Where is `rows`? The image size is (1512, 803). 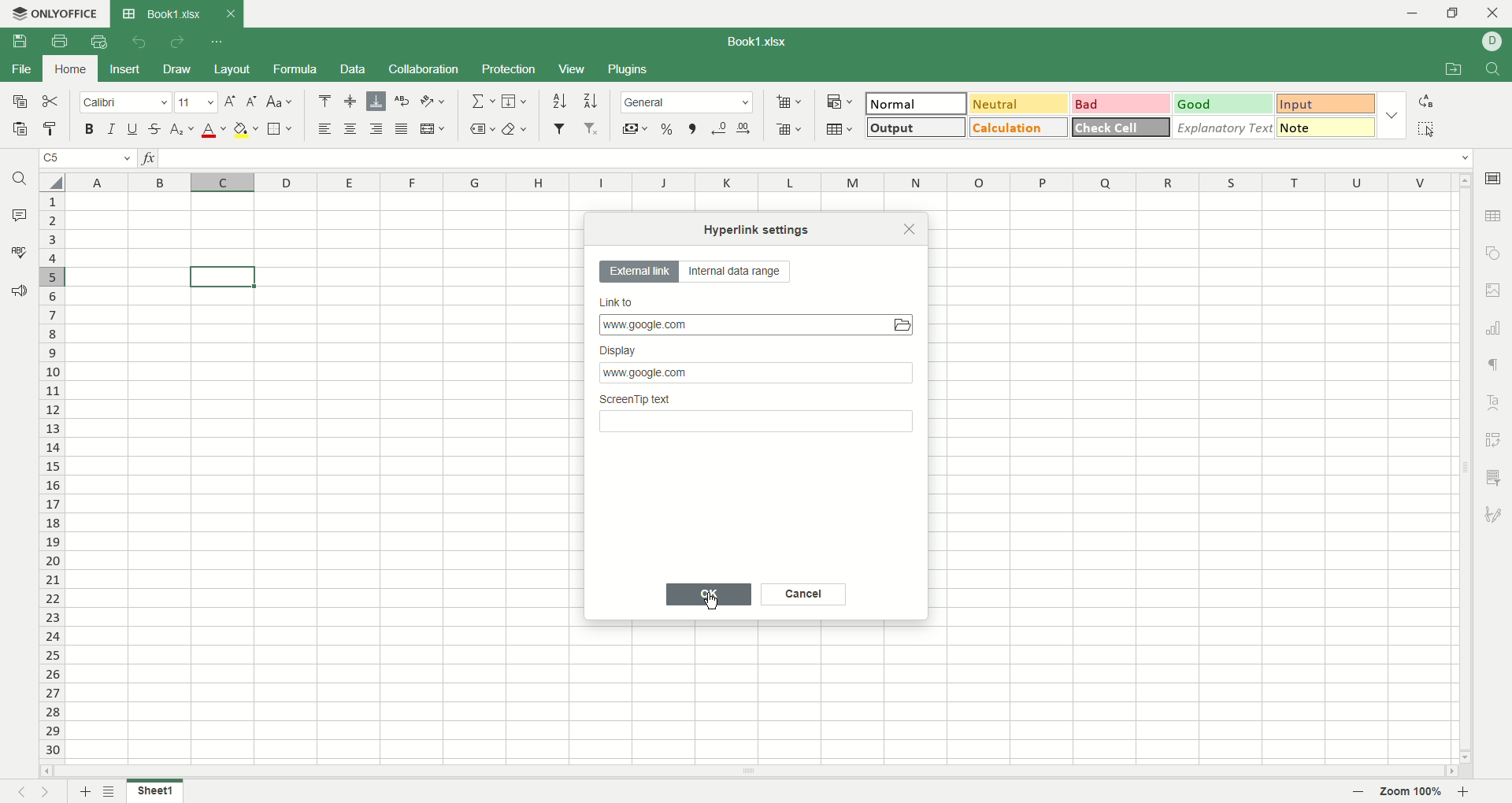 rows is located at coordinates (54, 479).